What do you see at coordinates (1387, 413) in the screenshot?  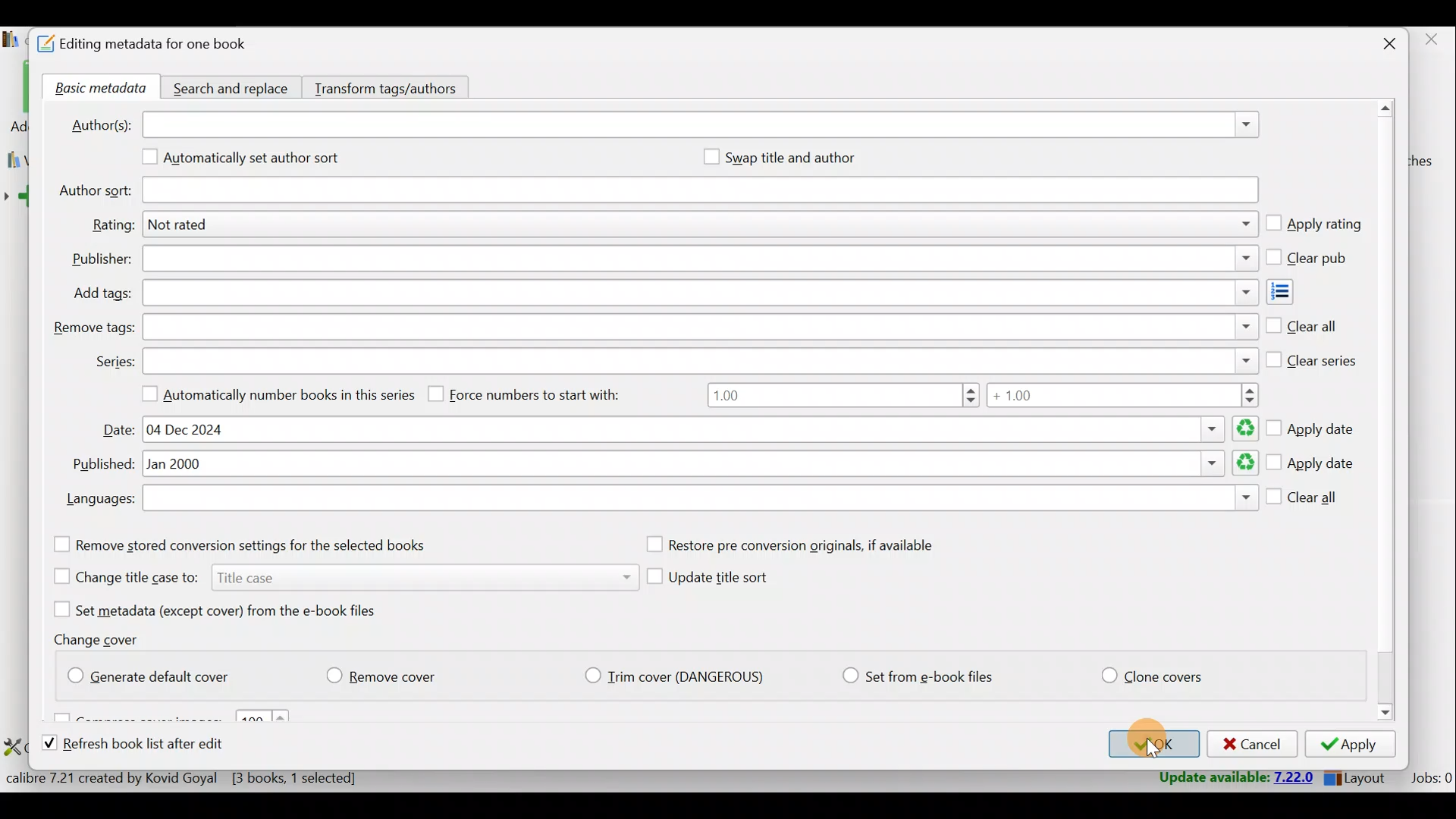 I see `Scroll bar` at bounding box center [1387, 413].